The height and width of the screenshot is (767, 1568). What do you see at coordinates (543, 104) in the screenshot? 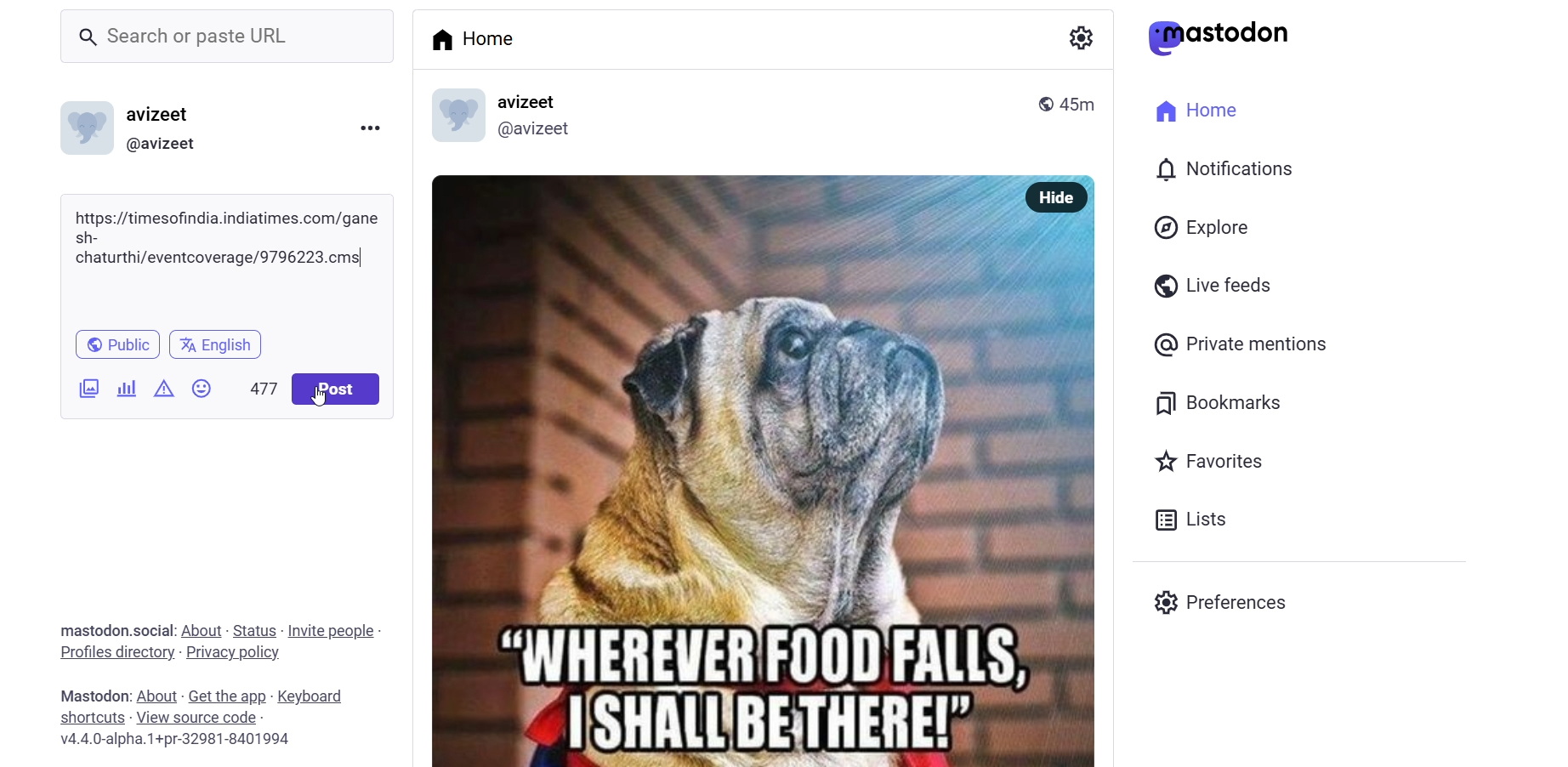
I see `avizeet` at bounding box center [543, 104].